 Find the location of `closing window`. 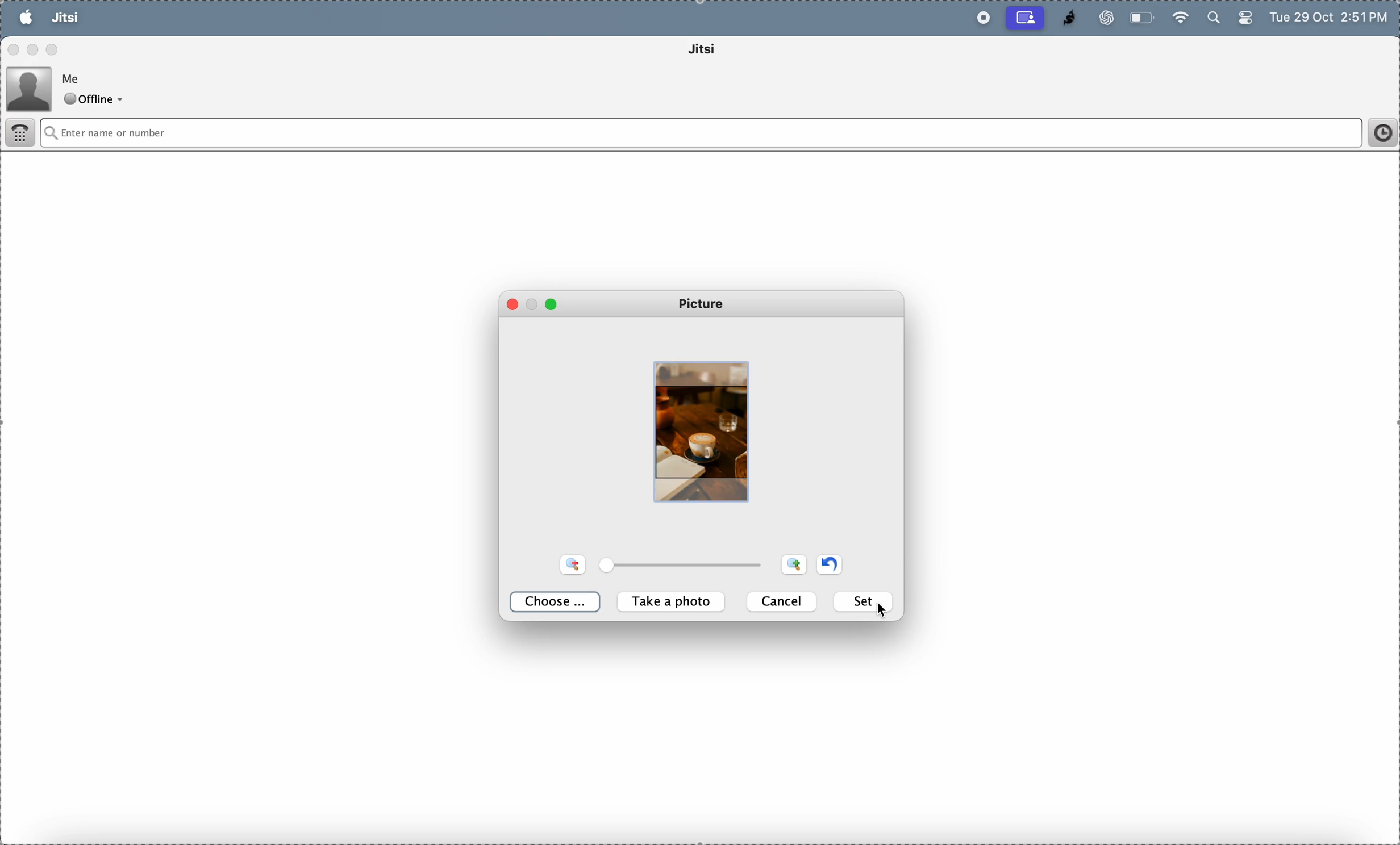

closing window is located at coordinates (516, 306).